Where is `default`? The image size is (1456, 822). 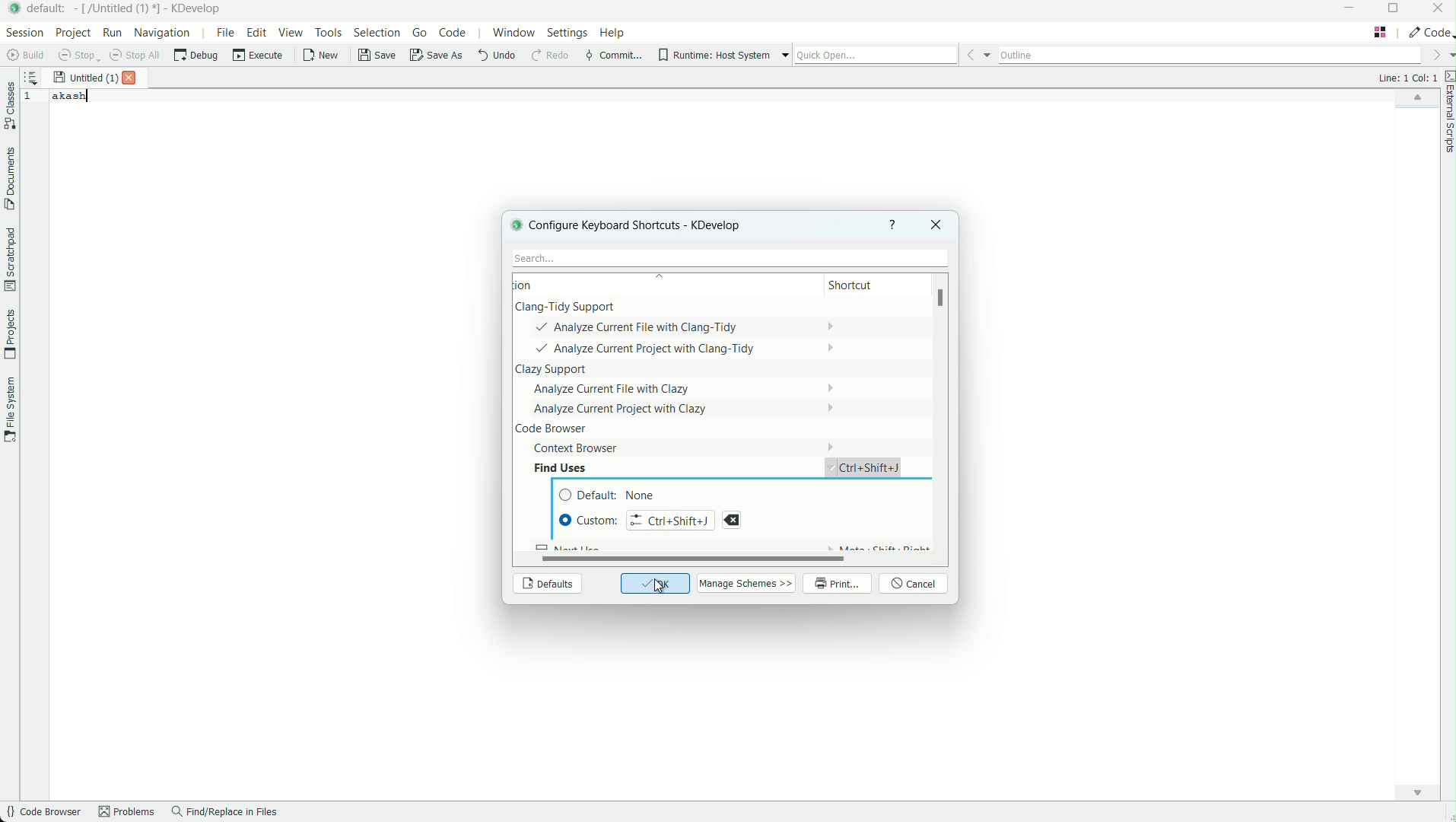 default is located at coordinates (49, 8).